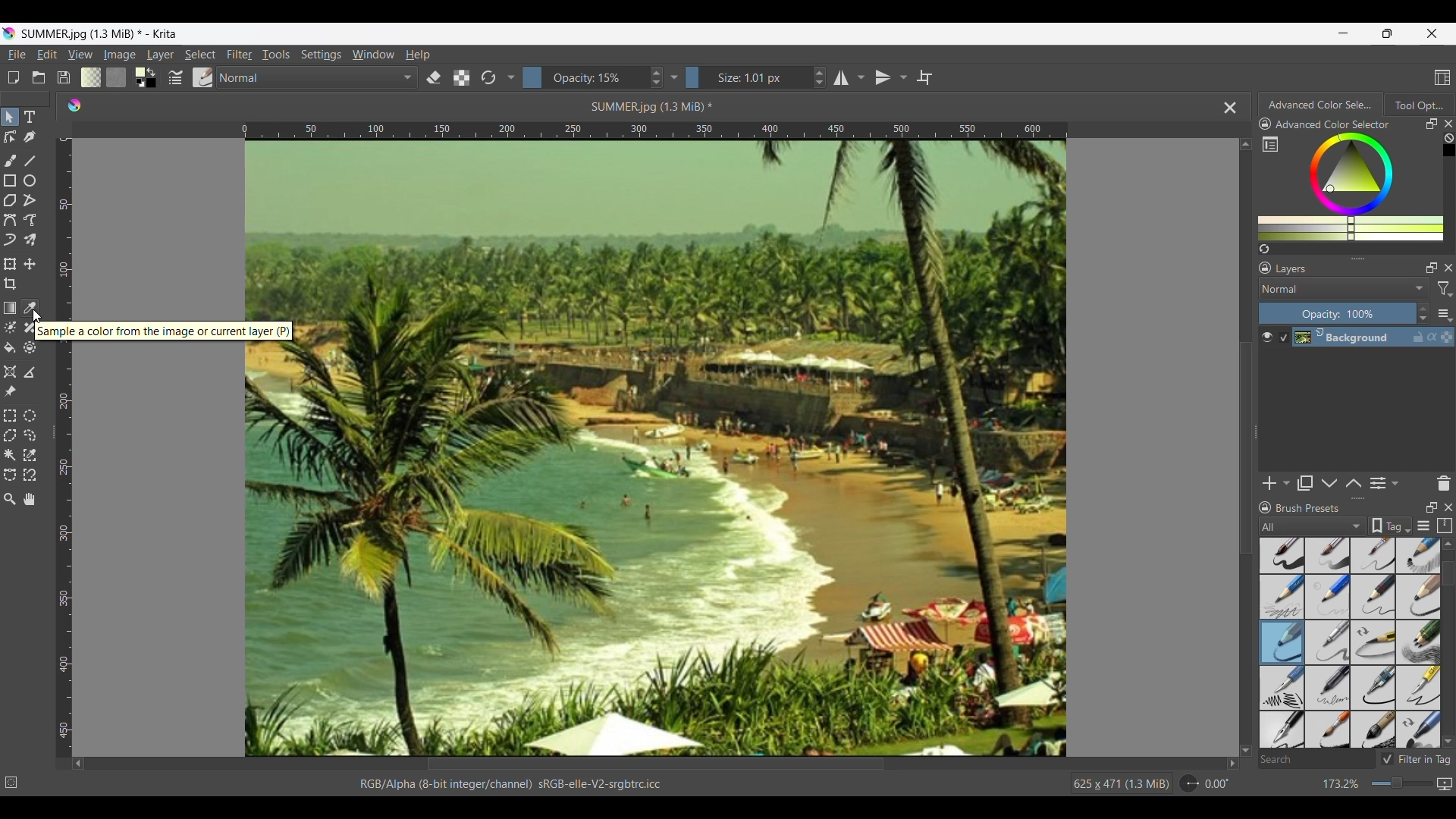 The width and height of the screenshot is (1456, 819). I want to click on View or change layer properties, so click(1378, 483).